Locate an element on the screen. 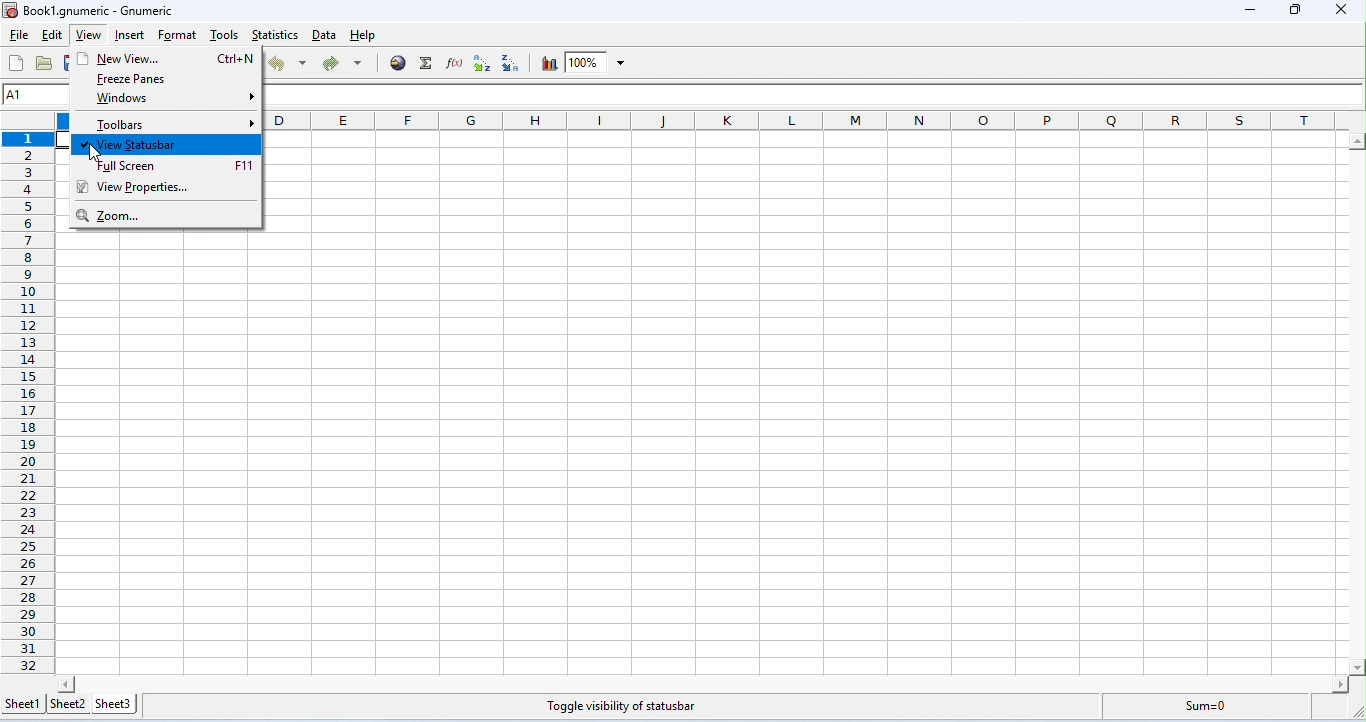  zoom is located at coordinates (598, 62).